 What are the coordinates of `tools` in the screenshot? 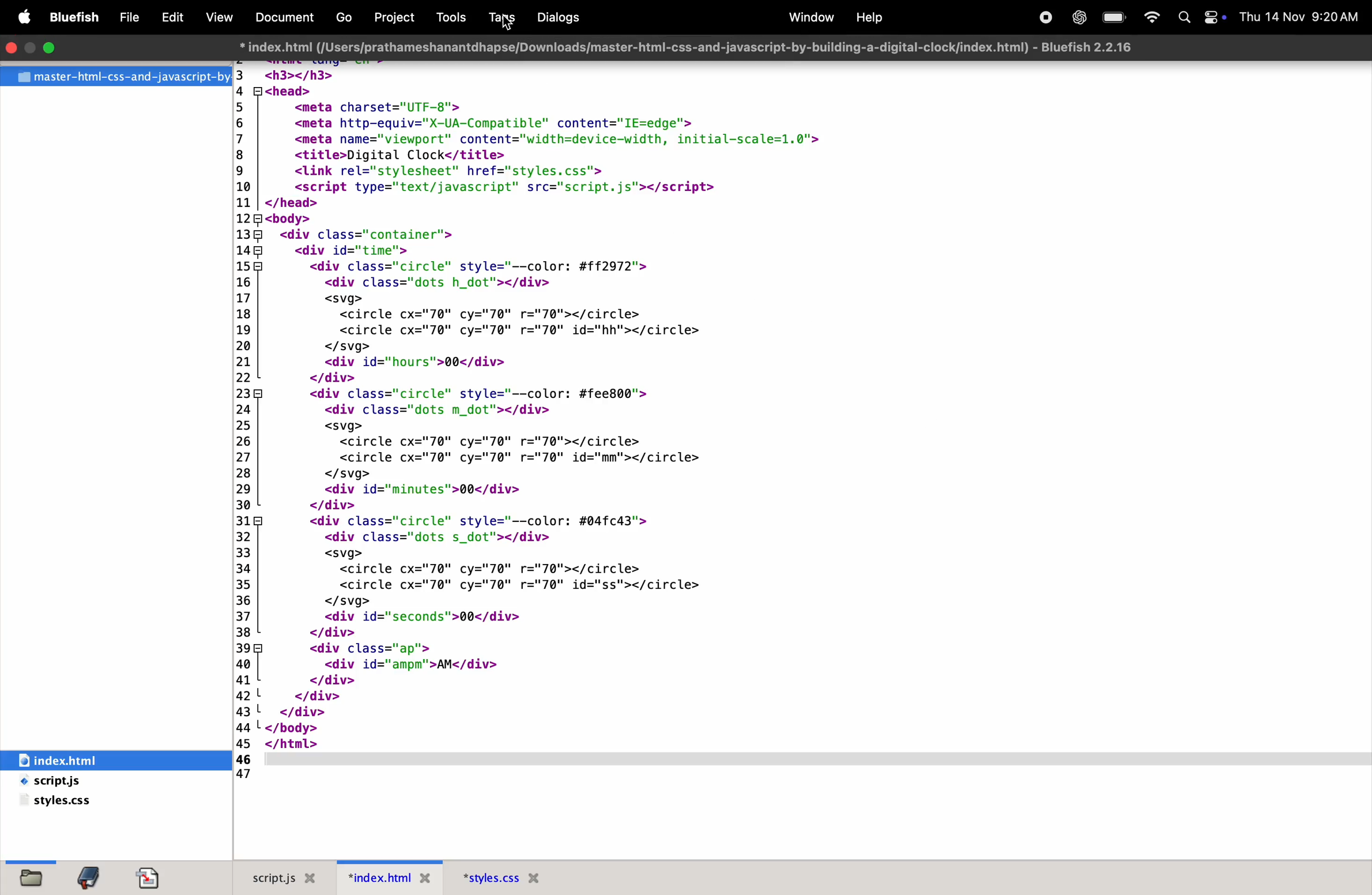 It's located at (452, 17).